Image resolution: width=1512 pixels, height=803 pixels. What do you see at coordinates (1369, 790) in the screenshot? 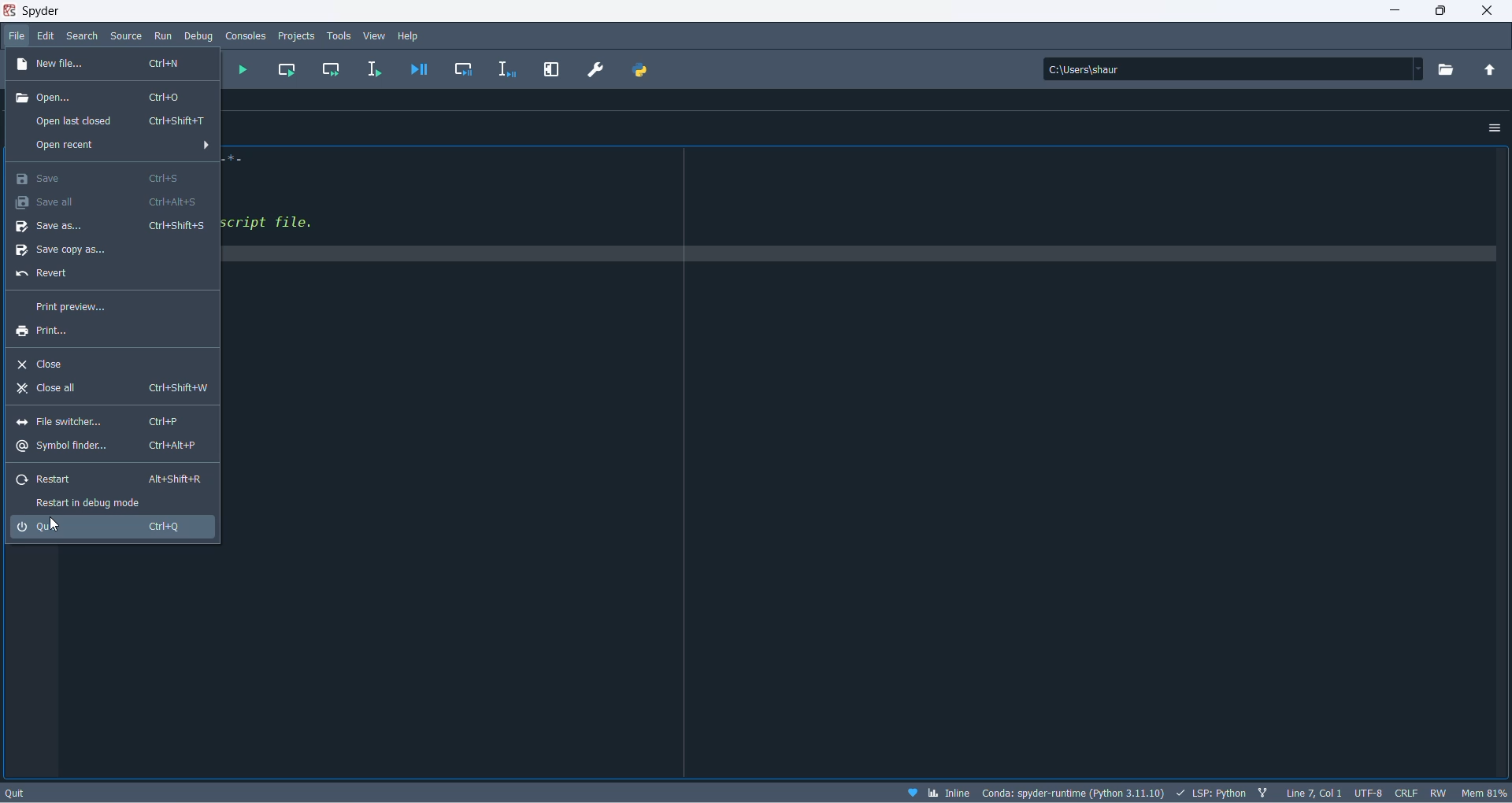
I see `encoding` at bounding box center [1369, 790].